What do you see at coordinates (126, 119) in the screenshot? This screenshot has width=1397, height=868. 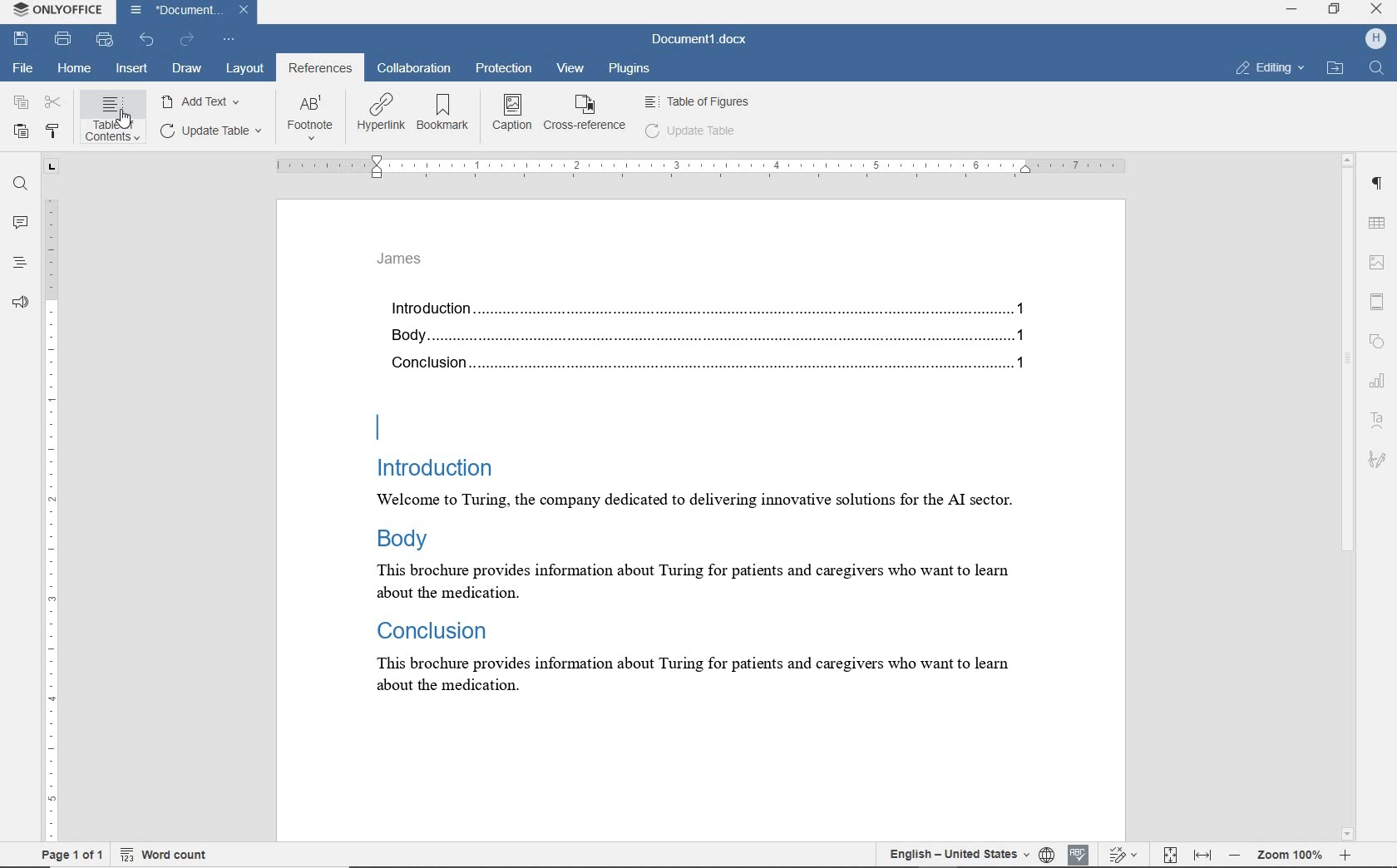 I see `cursor` at bounding box center [126, 119].